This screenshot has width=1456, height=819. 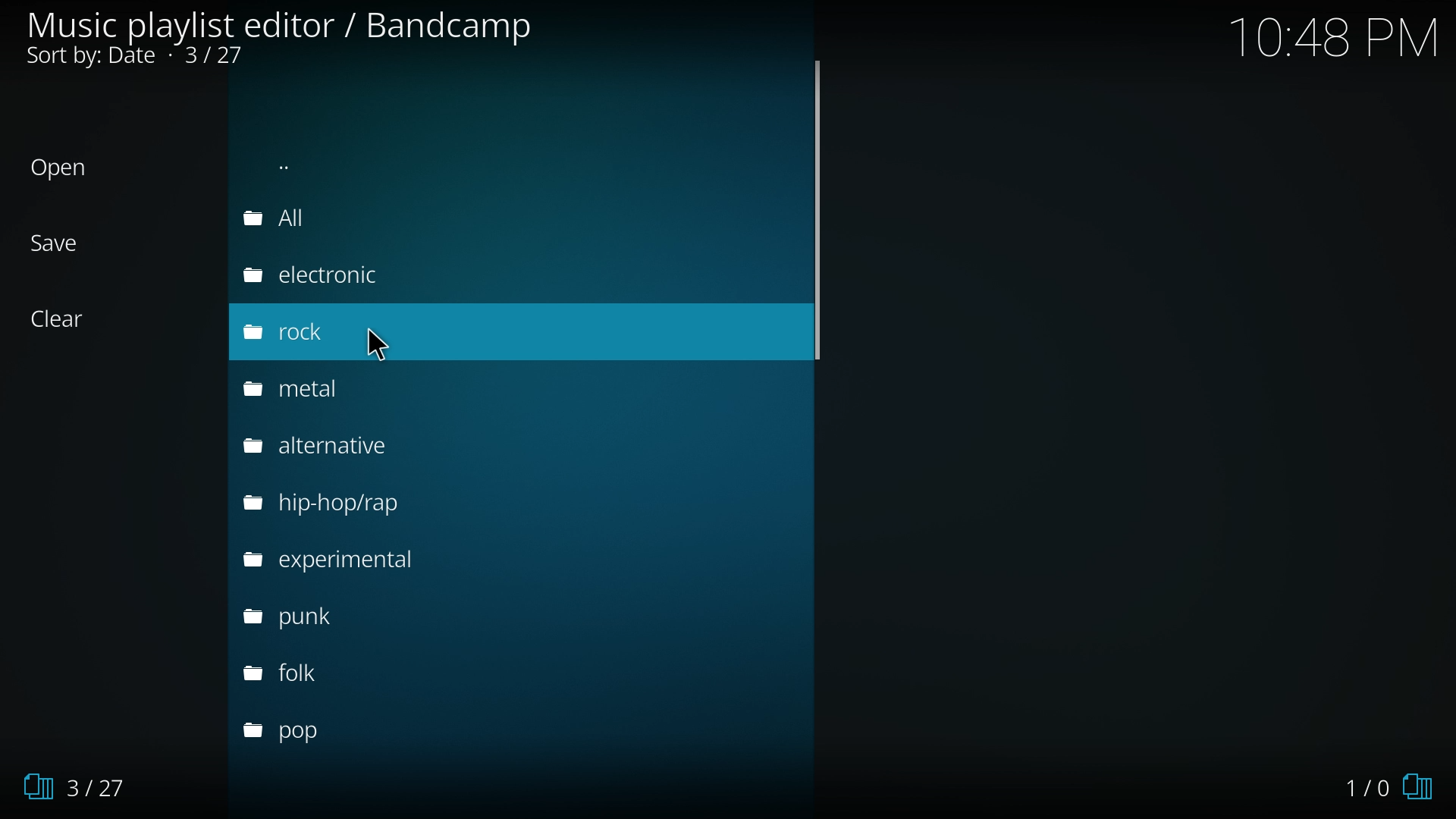 What do you see at coordinates (71, 243) in the screenshot?
I see `Save` at bounding box center [71, 243].